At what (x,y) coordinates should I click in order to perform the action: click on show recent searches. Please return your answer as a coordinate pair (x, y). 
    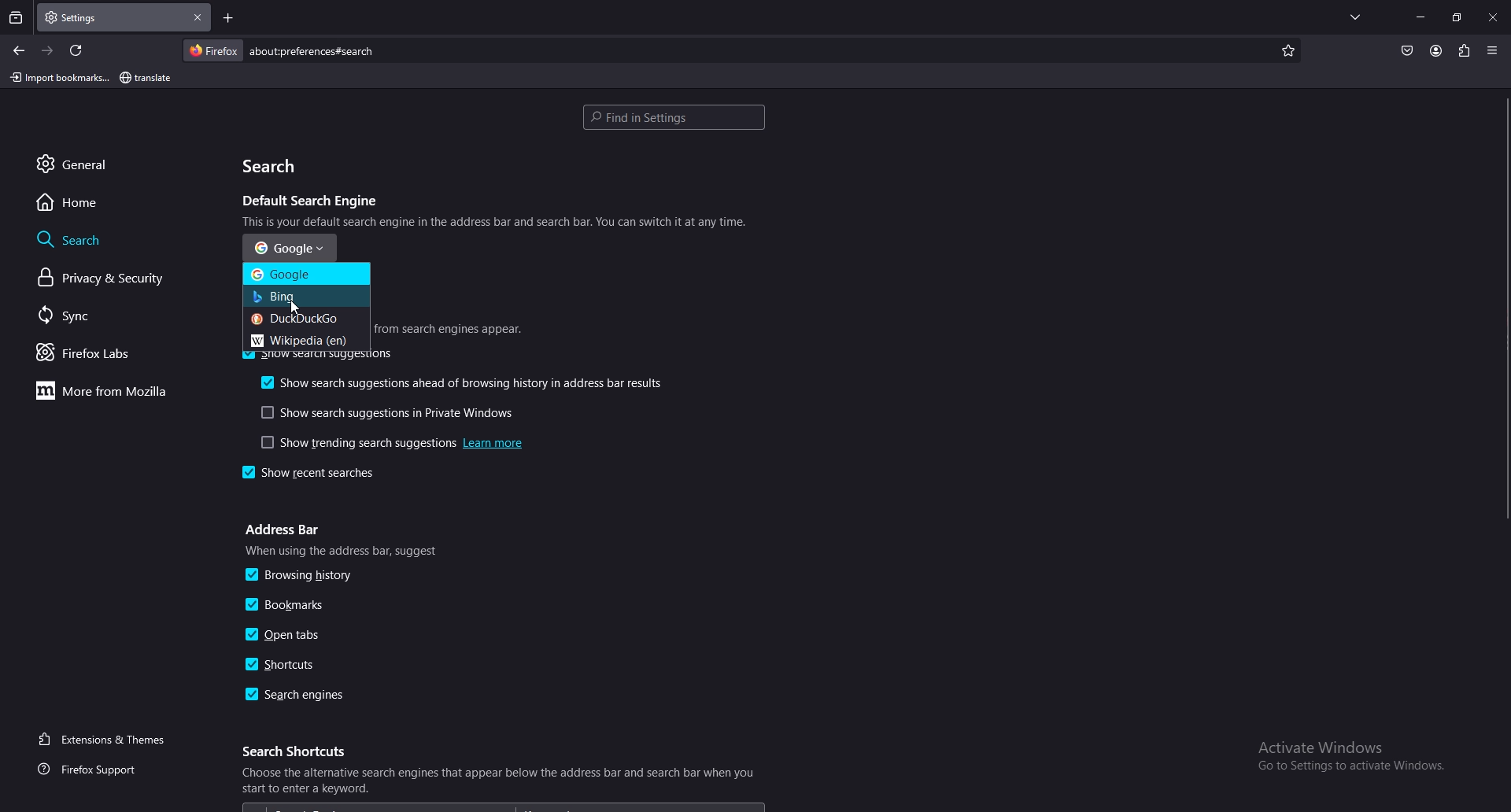
    Looking at the image, I should click on (324, 474).